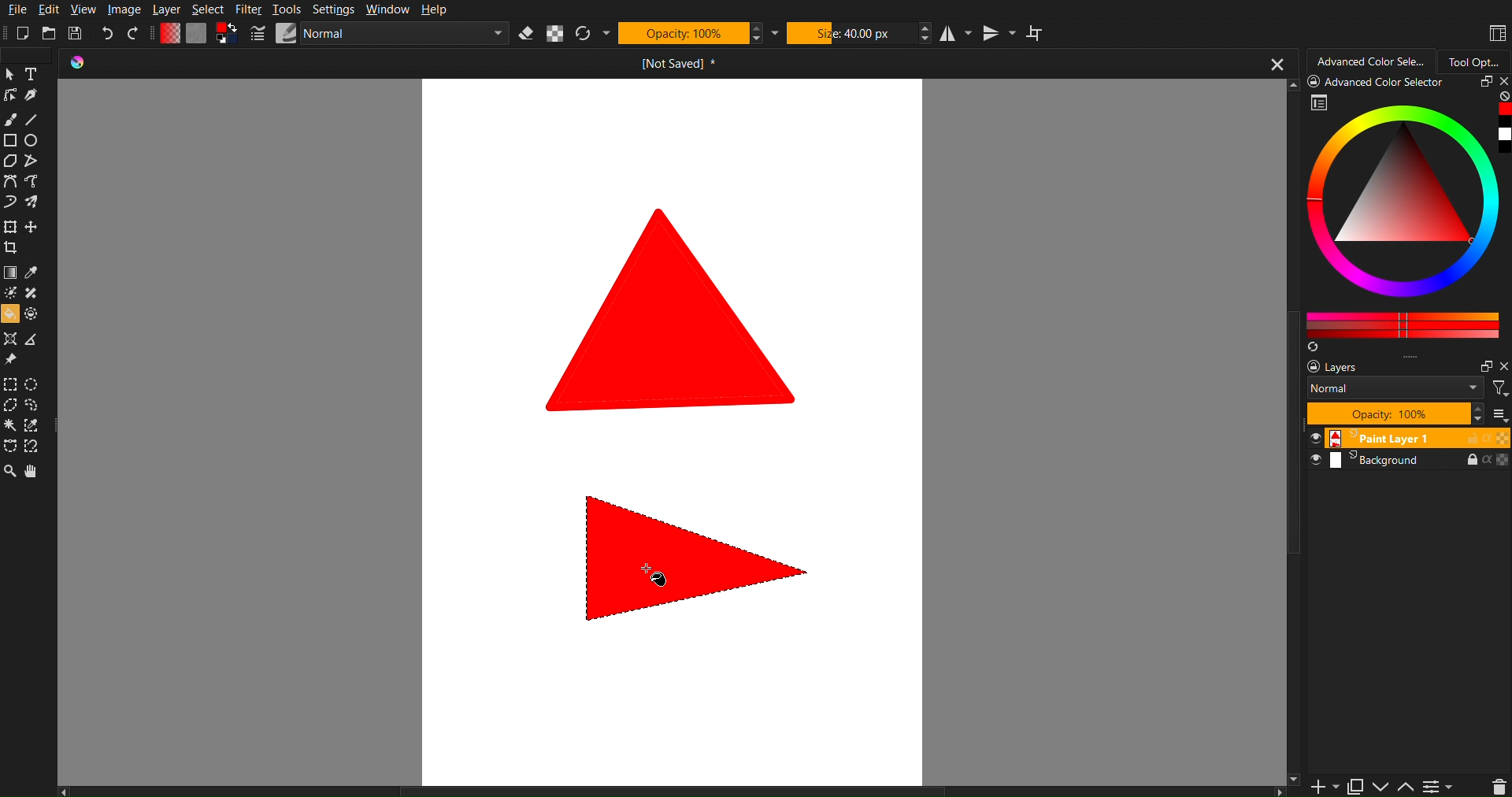  I want to click on Current Document, so click(679, 66).